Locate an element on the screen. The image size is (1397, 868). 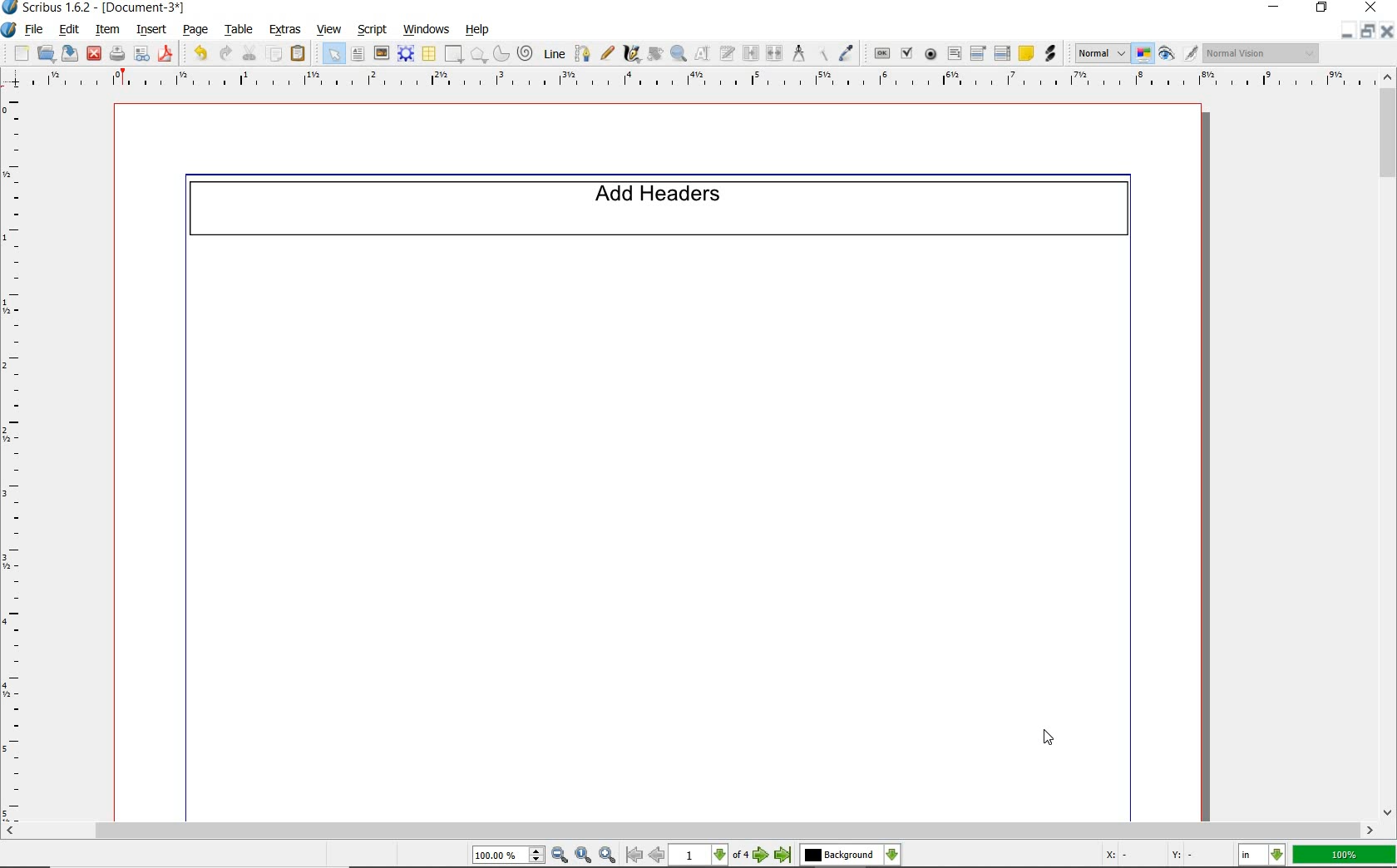
freehand line is located at coordinates (608, 54).